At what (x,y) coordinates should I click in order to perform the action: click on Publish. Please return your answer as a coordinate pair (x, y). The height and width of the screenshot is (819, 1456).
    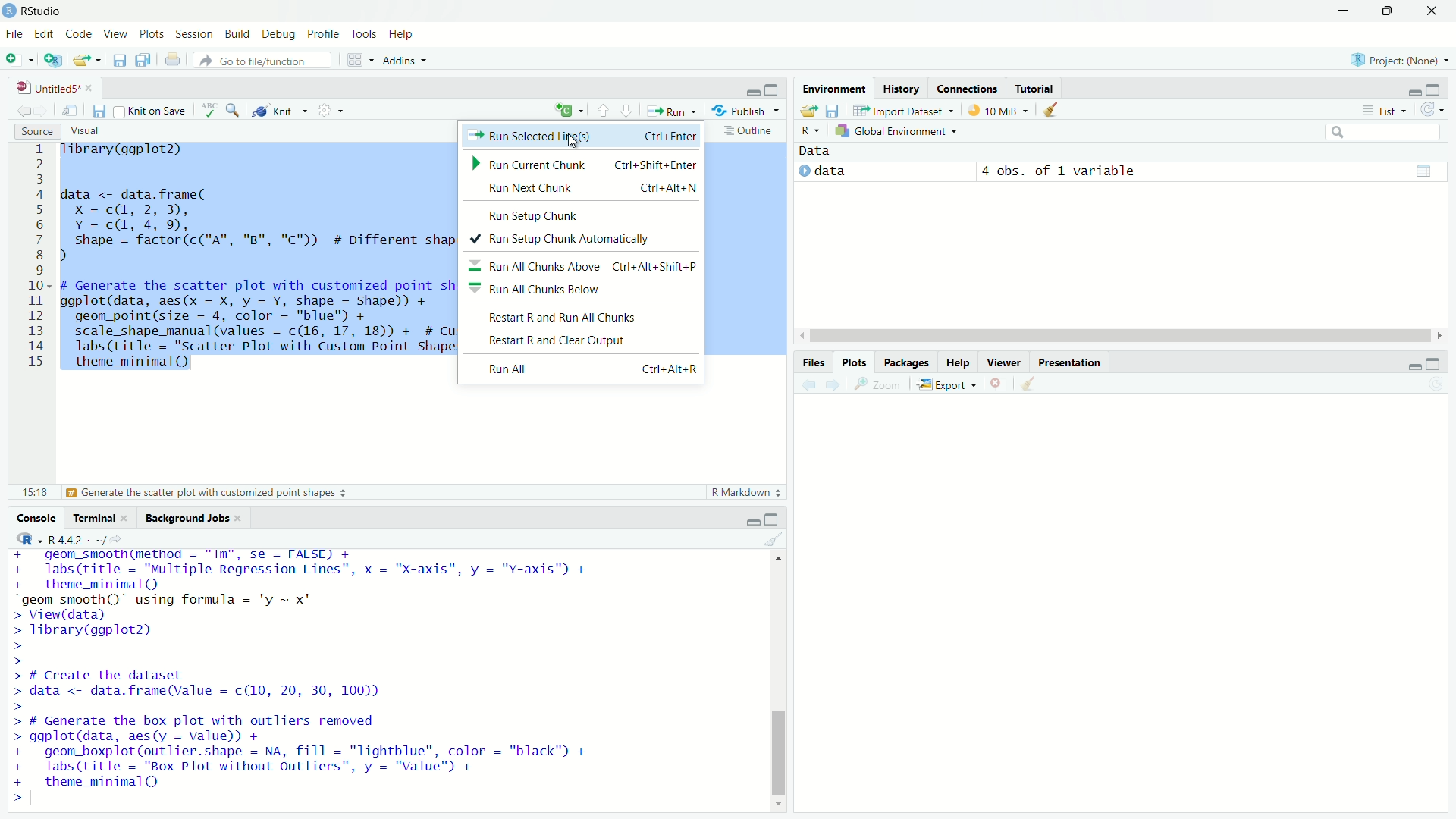
    Looking at the image, I should click on (745, 110).